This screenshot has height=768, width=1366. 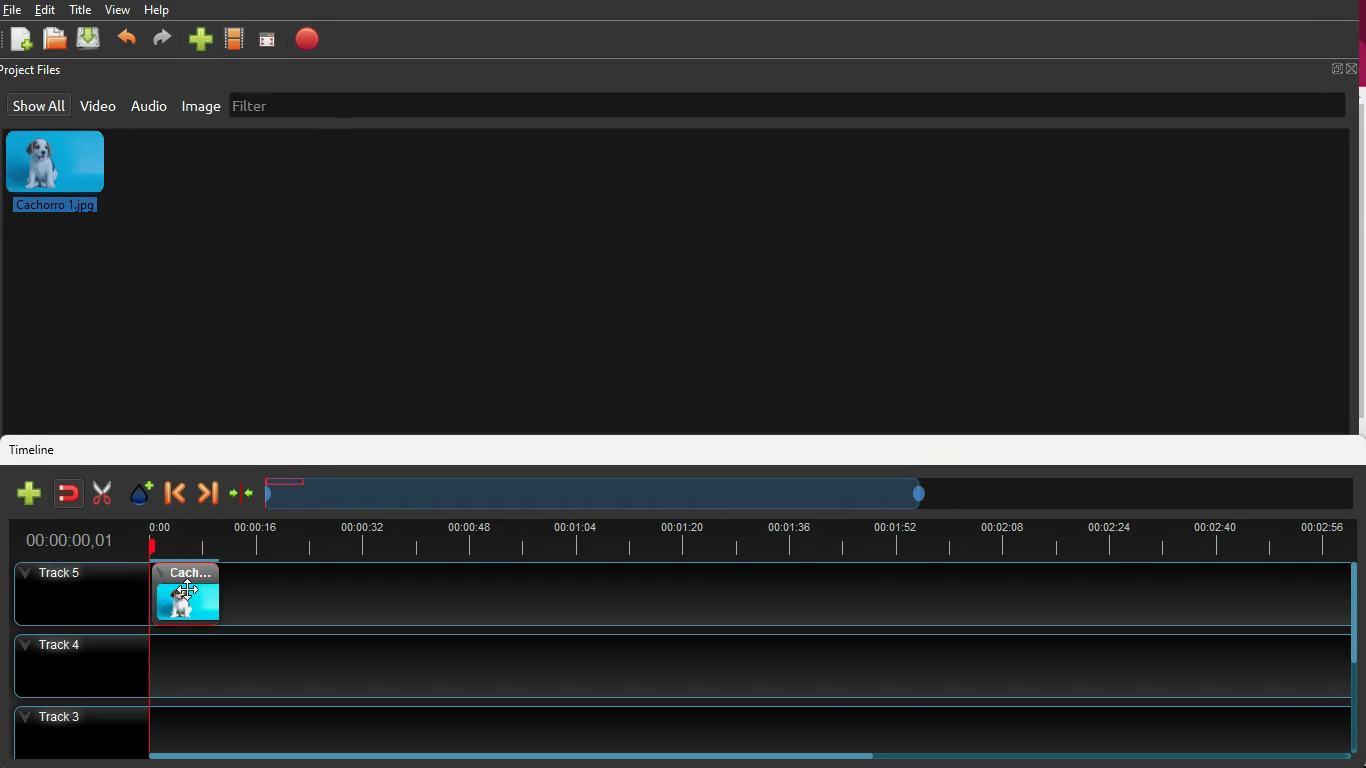 I want to click on track5, so click(x=76, y=595).